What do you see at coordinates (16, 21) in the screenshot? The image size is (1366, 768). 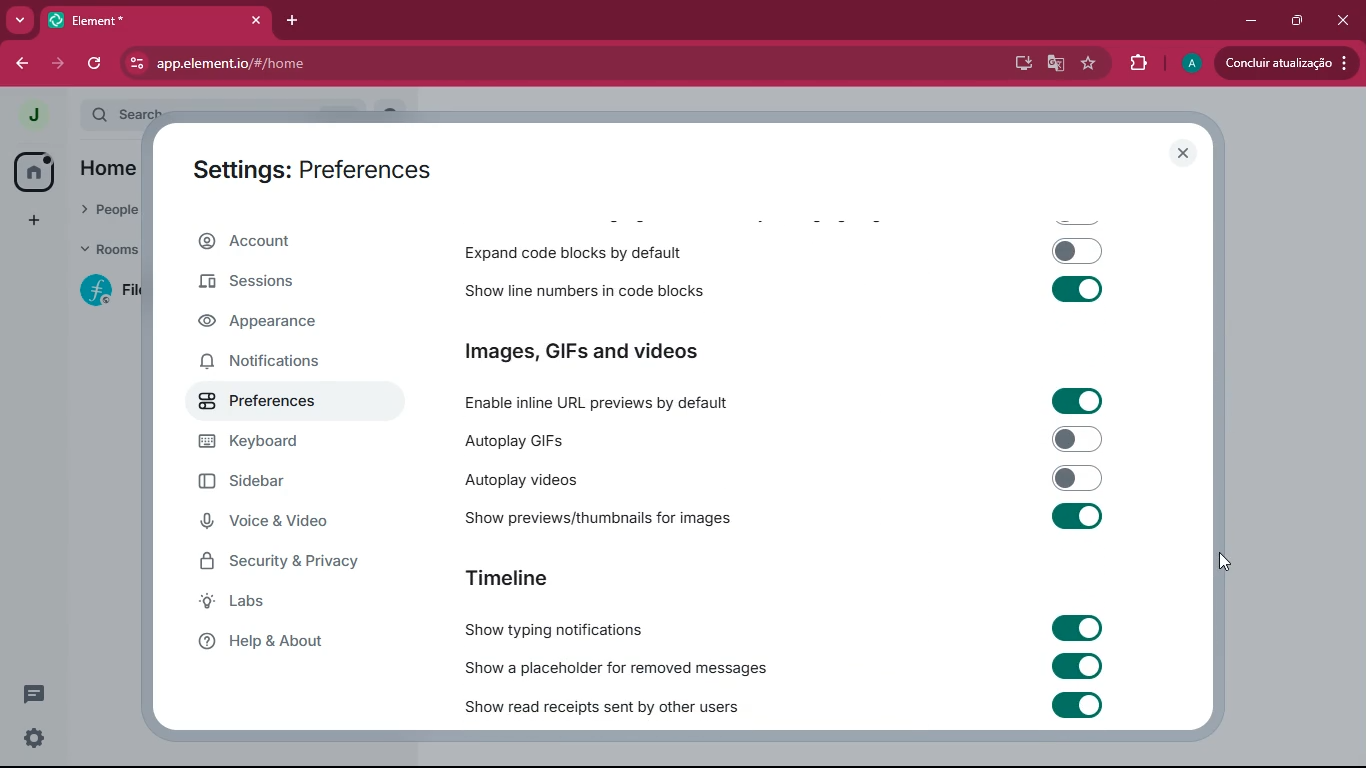 I see `more` at bounding box center [16, 21].